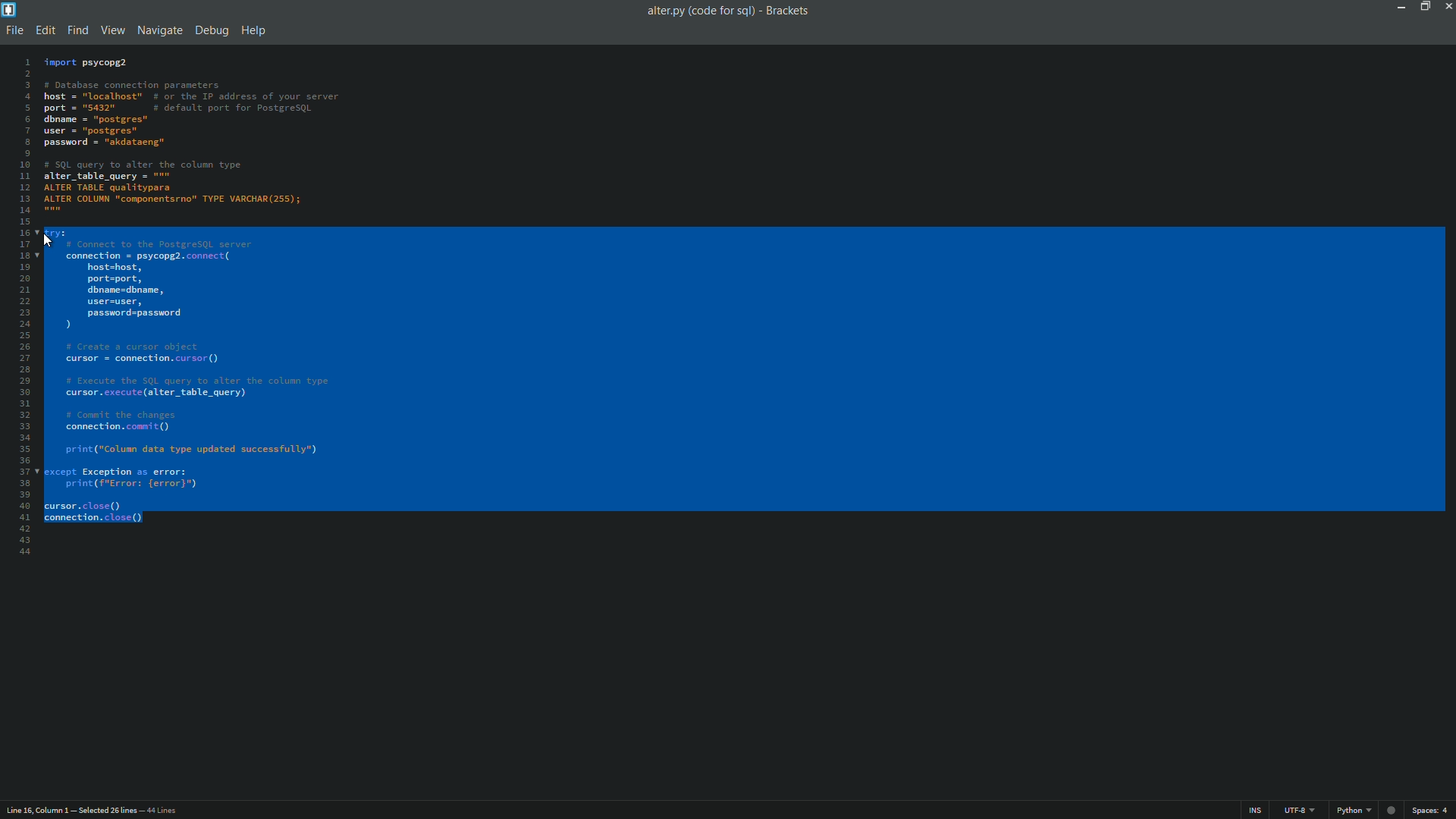 Image resolution: width=1456 pixels, height=819 pixels. I want to click on file name, so click(700, 11).